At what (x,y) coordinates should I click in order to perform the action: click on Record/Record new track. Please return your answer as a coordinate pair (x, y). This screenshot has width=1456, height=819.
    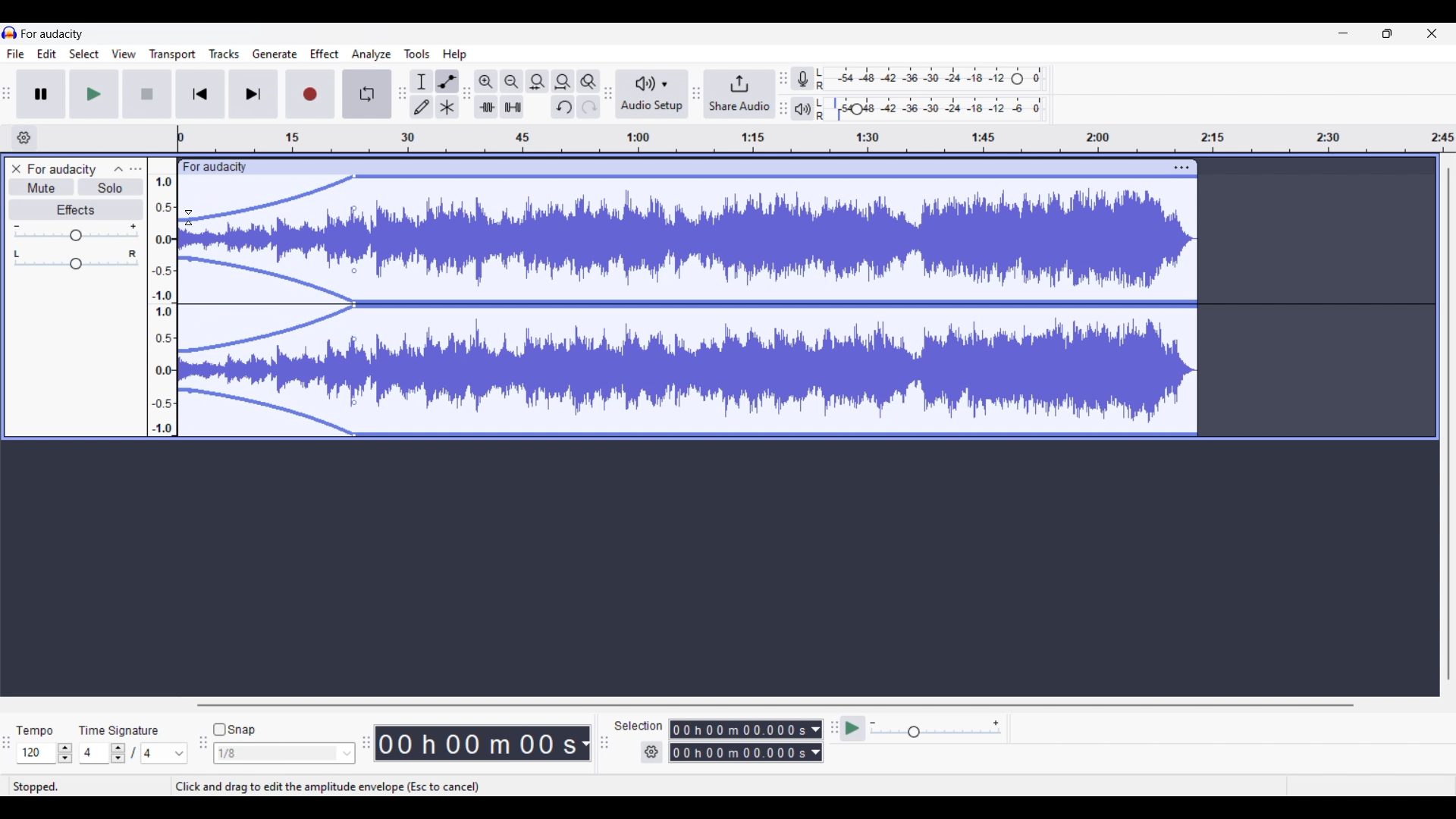
    Looking at the image, I should click on (311, 94).